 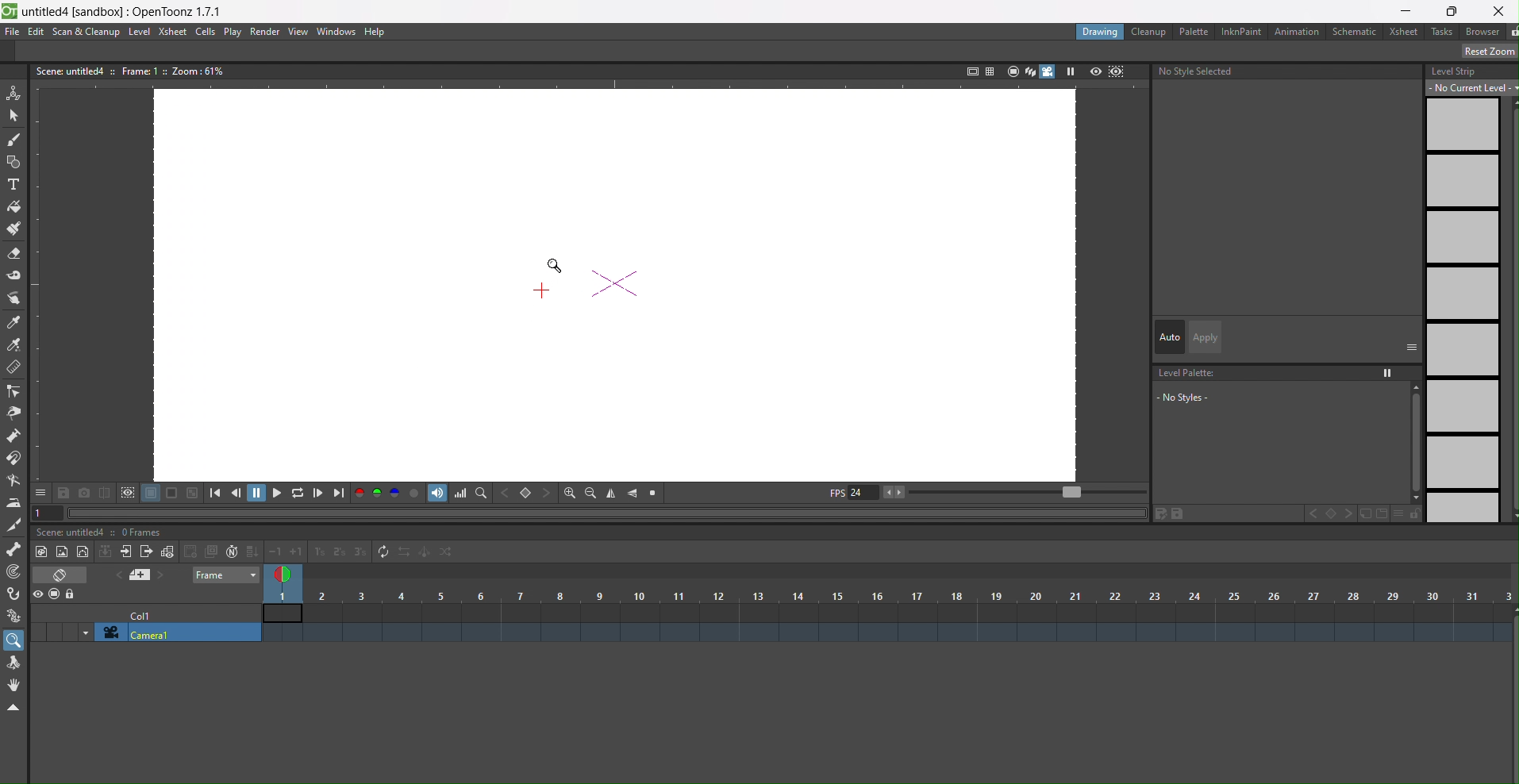 What do you see at coordinates (544, 290) in the screenshot?
I see `Cursor` at bounding box center [544, 290].